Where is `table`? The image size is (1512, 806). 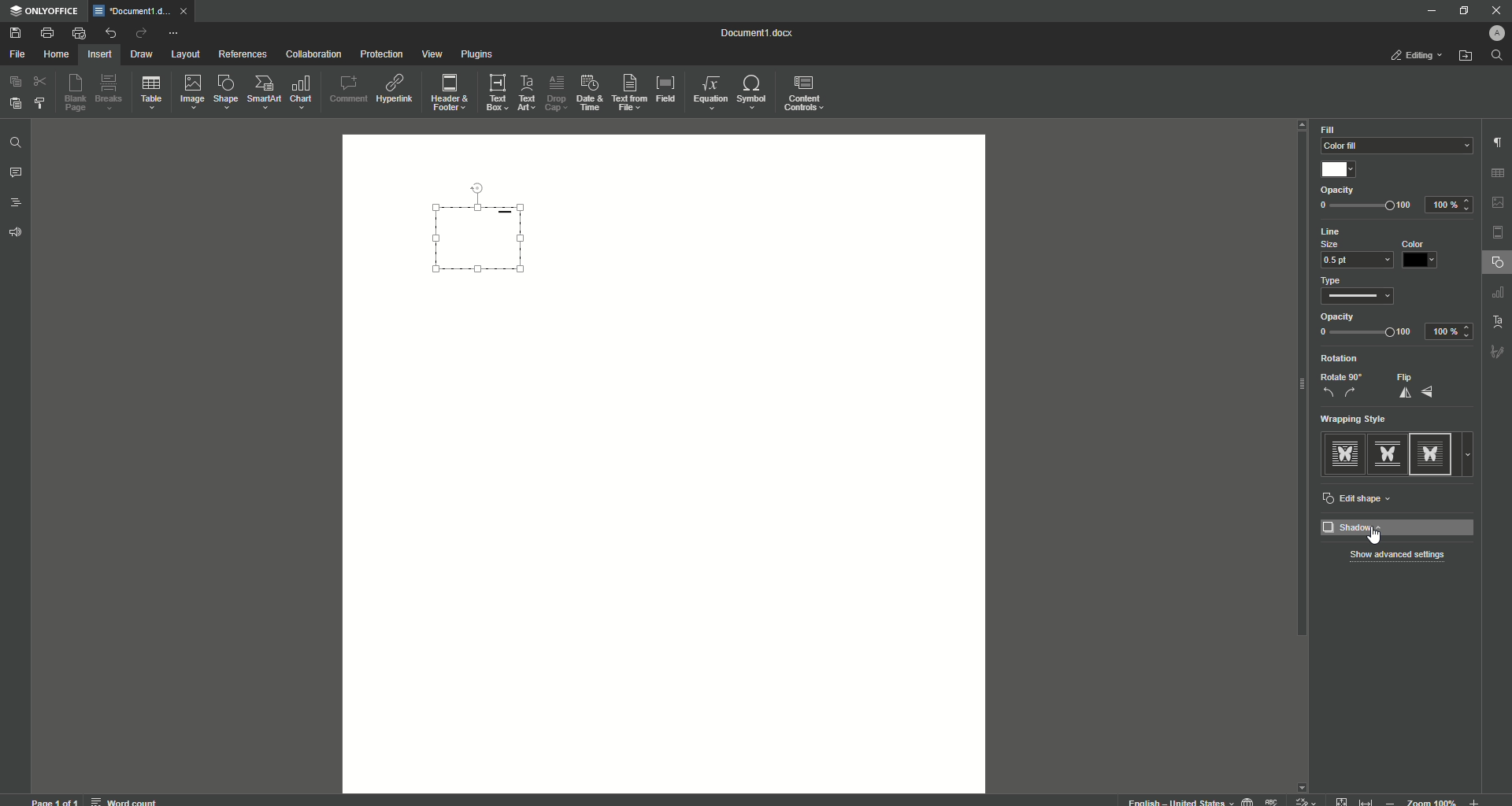
table is located at coordinates (1499, 294).